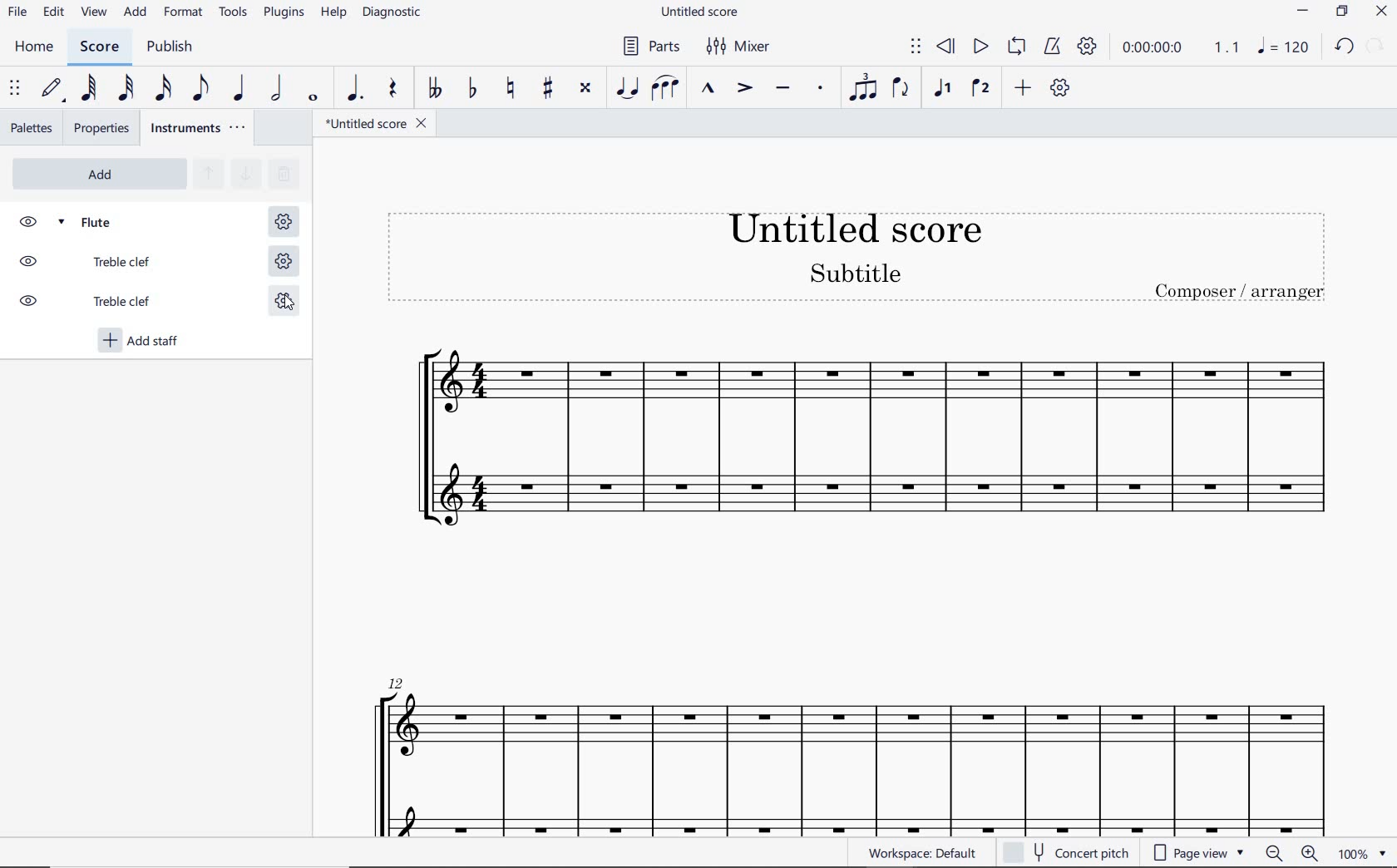 The image size is (1397, 868). I want to click on view, so click(96, 13).